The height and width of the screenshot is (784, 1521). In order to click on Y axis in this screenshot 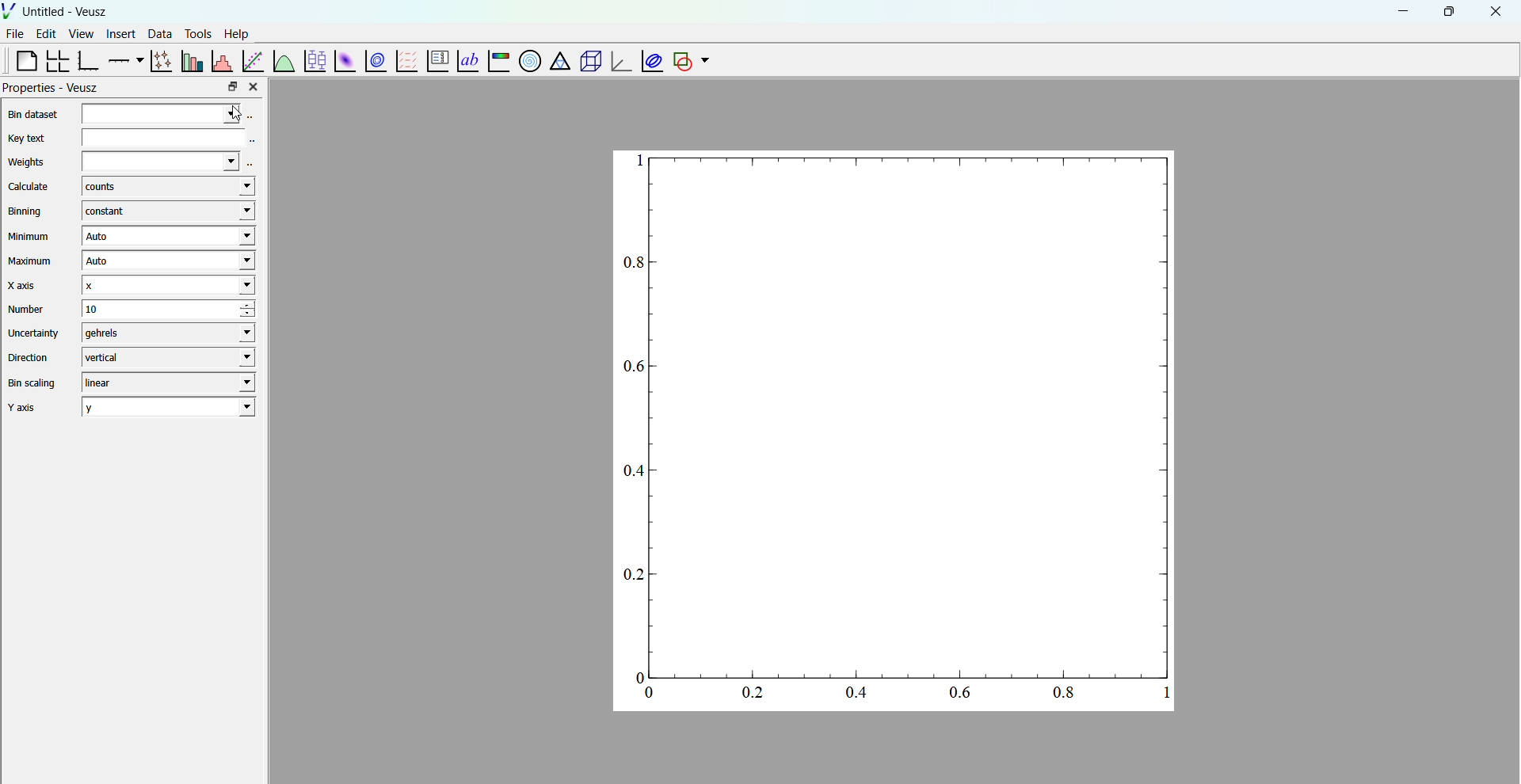, I will do `click(28, 408)`.